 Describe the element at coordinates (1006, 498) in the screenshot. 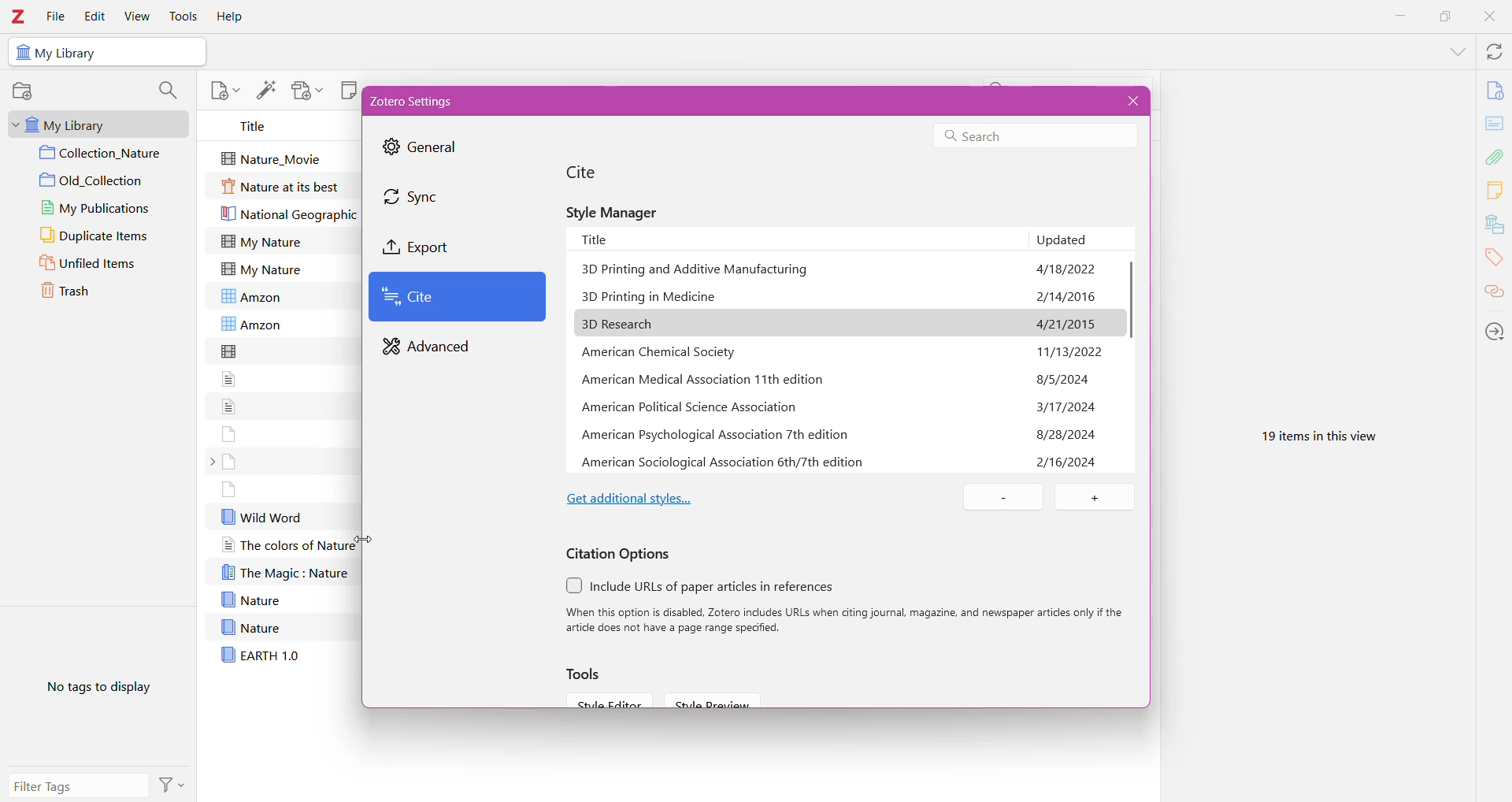

I see `Delete a selected file` at that location.